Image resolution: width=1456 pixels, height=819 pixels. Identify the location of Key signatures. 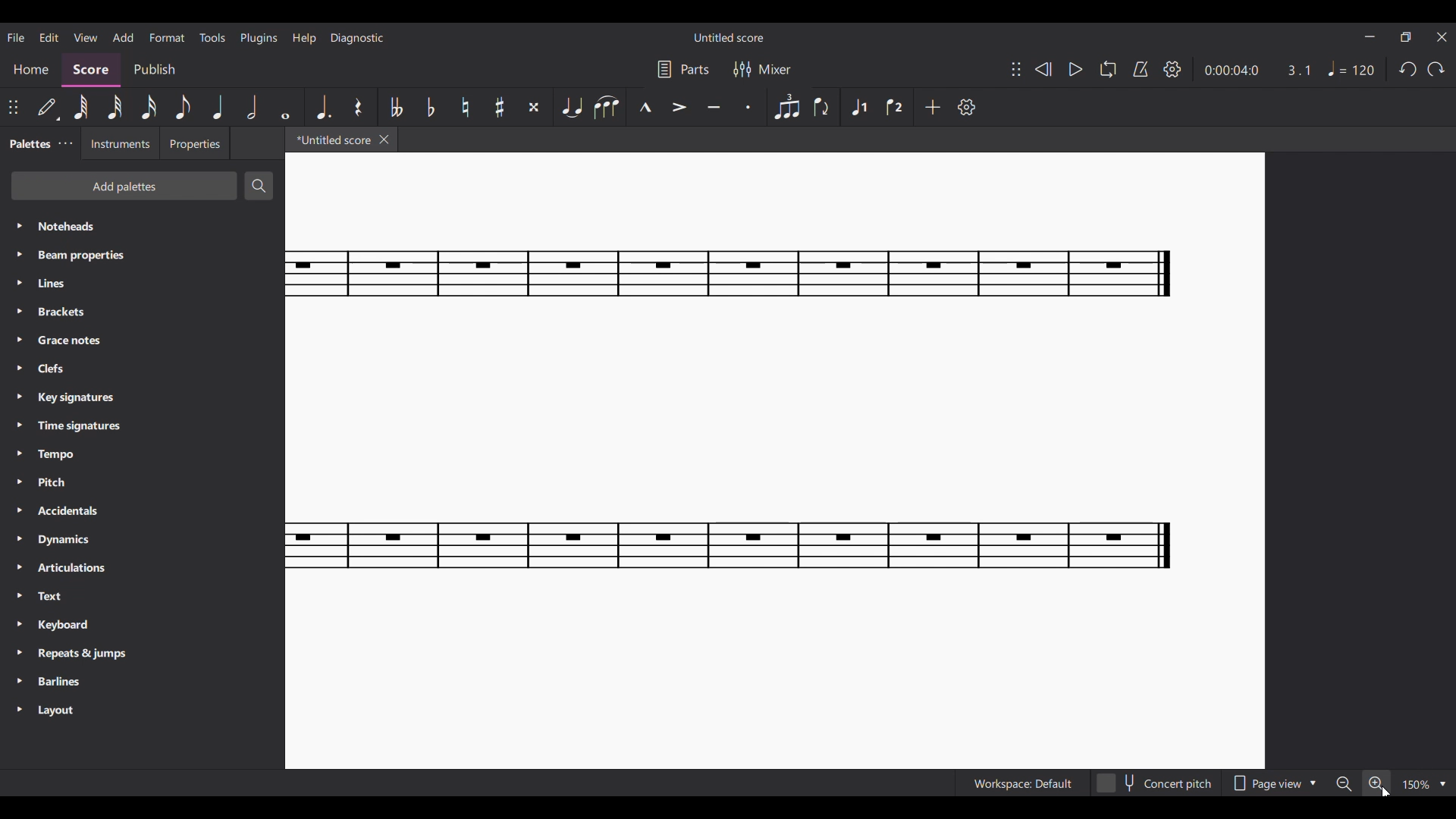
(142, 398).